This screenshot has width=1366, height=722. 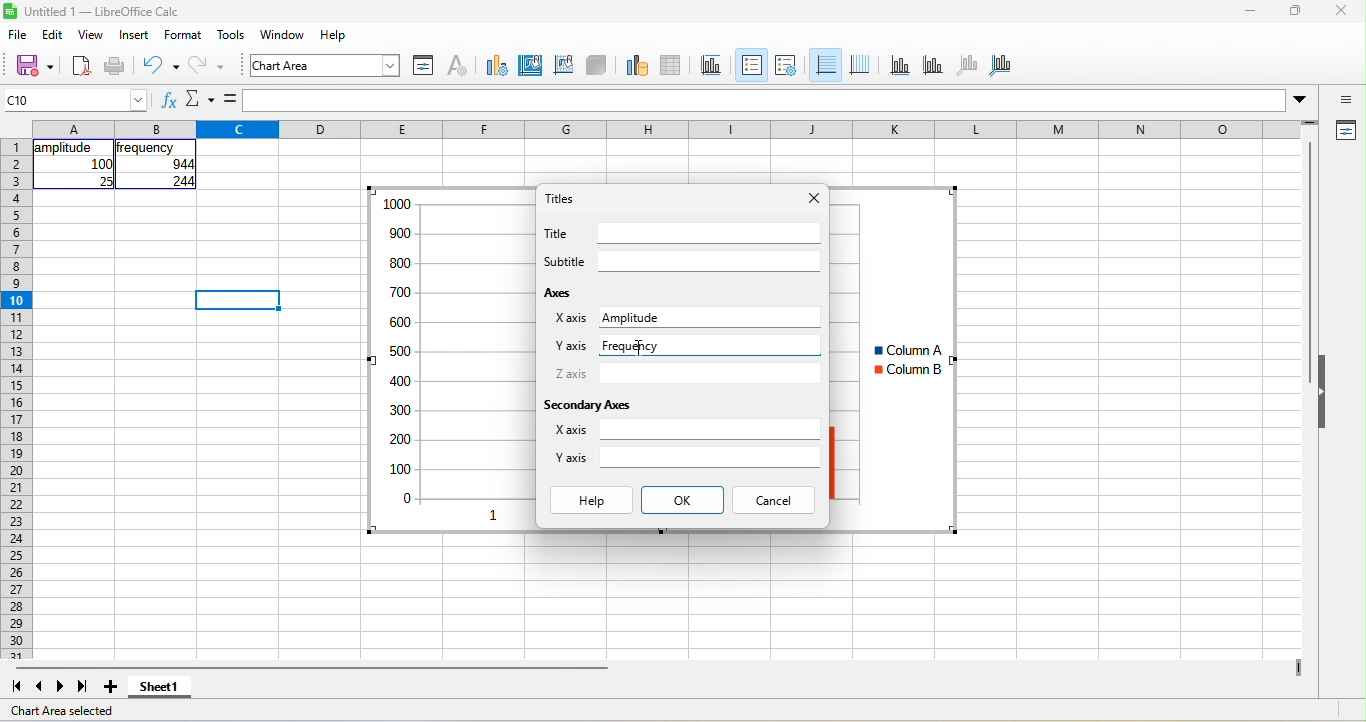 What do you see at coordinates (10, 11) in the screenshot?
I see `Software logo` at bounding box center [10, 11].